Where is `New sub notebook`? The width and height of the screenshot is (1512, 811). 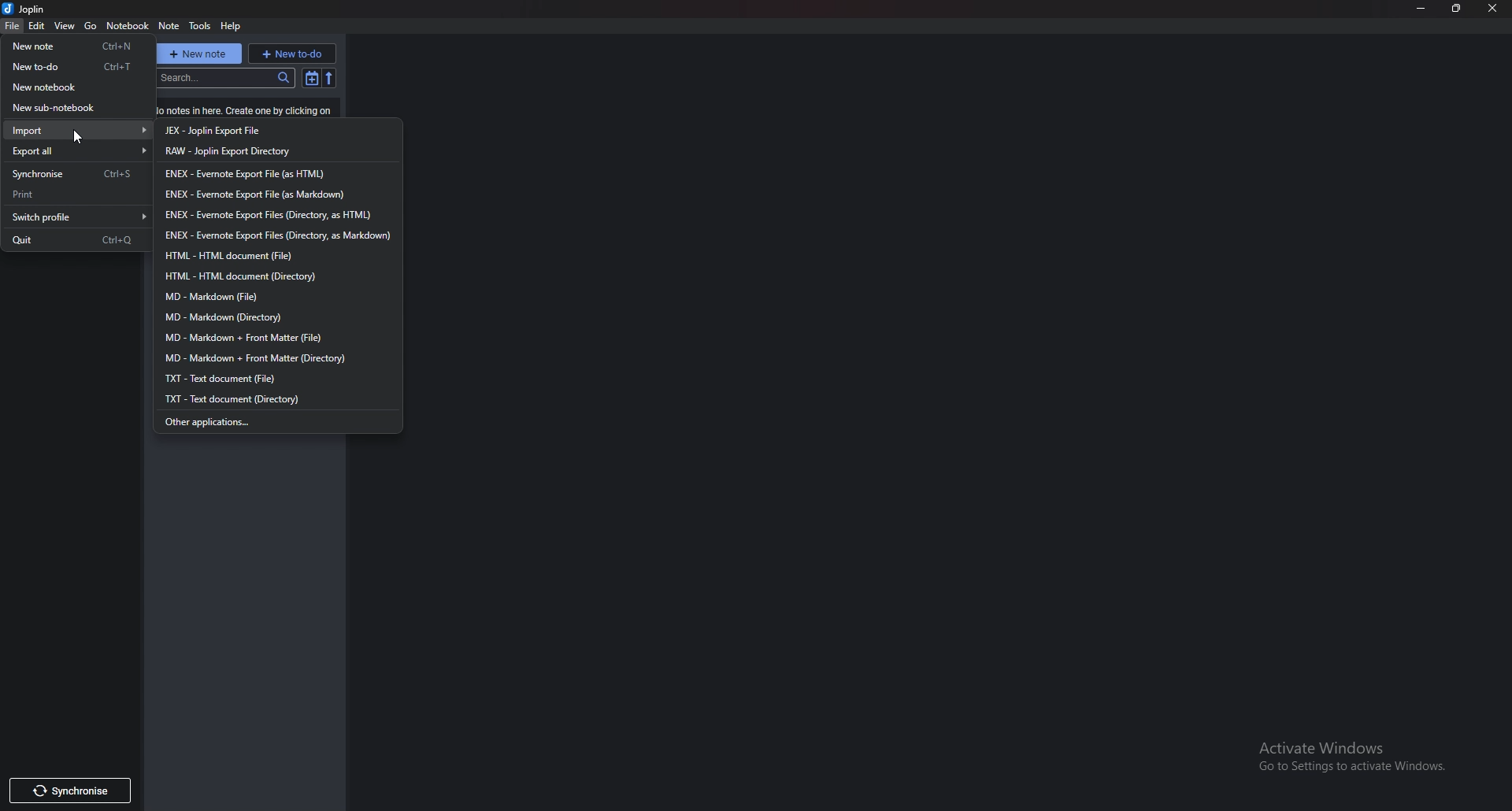 New sub notebook is located at coordinates (72, 109).